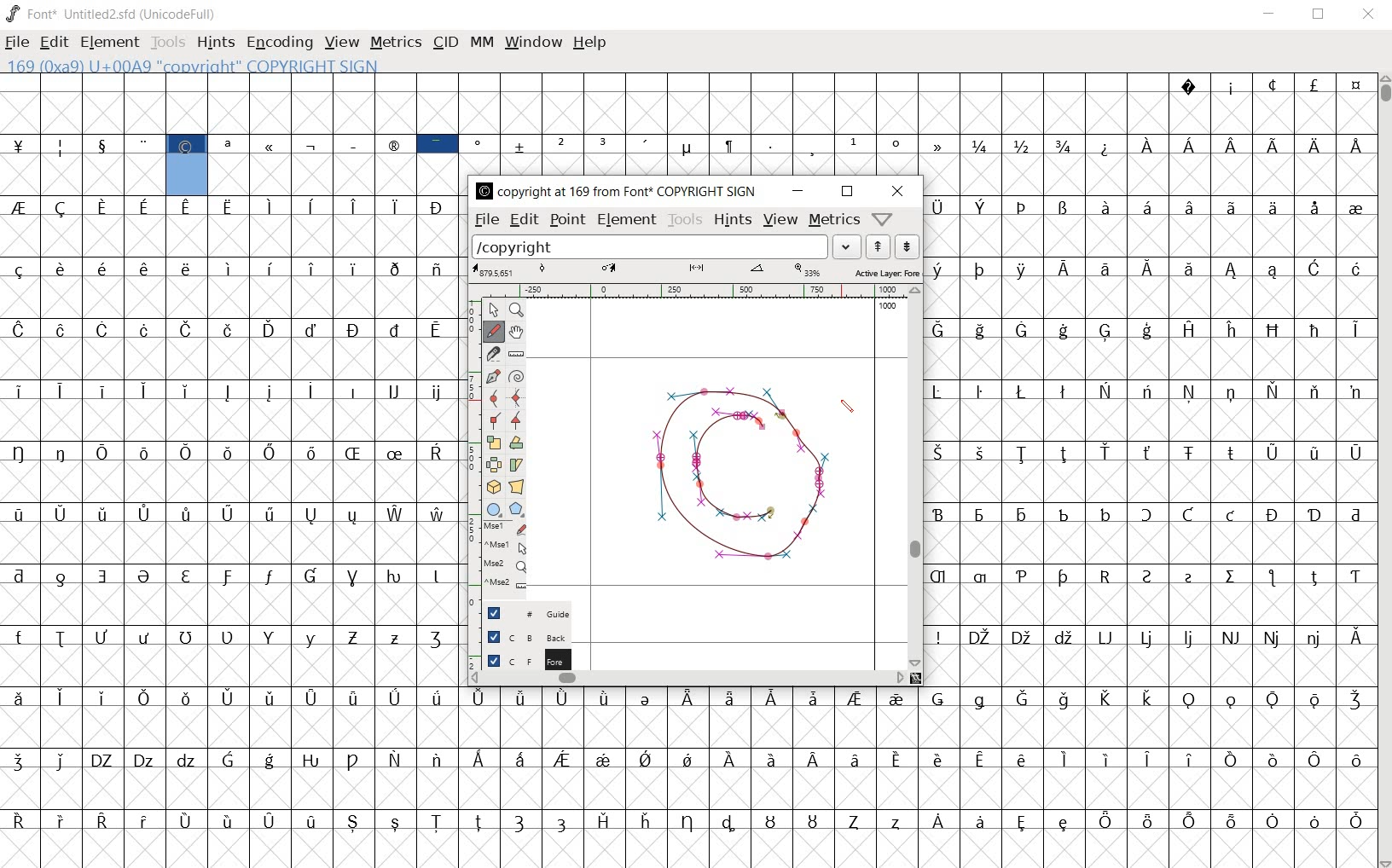  I want to click on measure a distance, angle between points, so click(516, 355).